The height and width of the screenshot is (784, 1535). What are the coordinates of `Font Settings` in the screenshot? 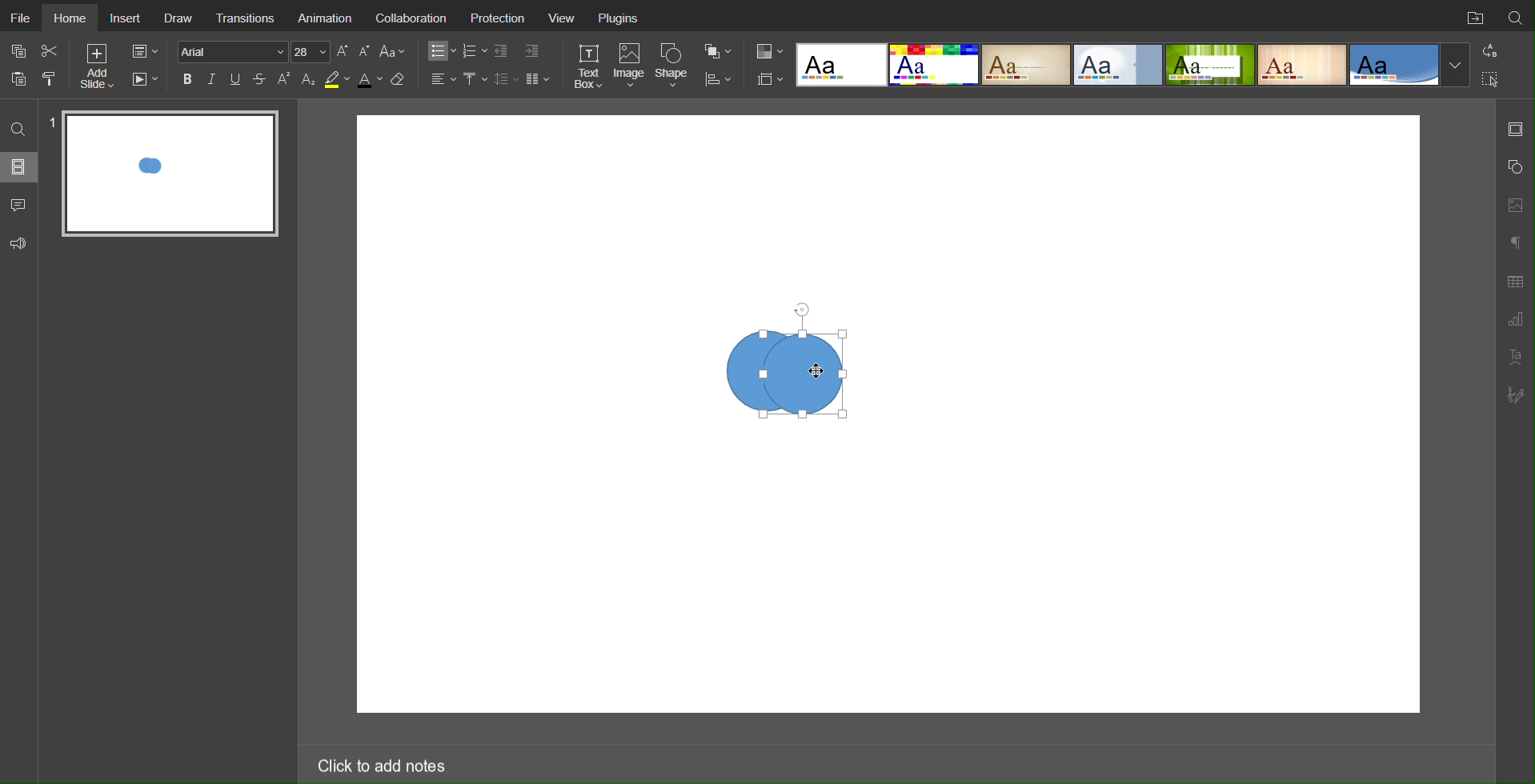 It's located at (251, 51).